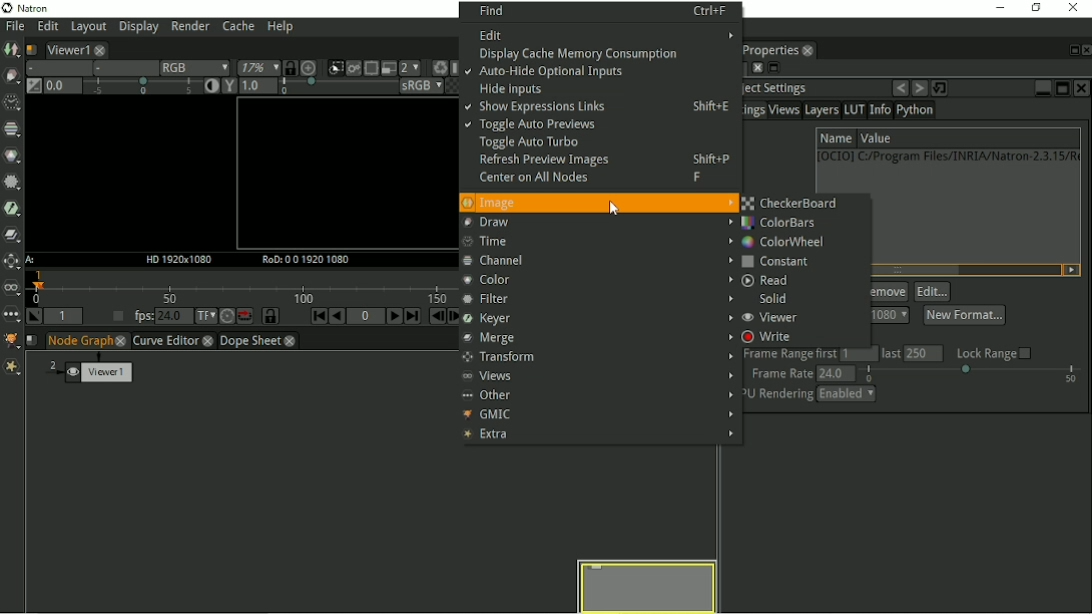  What do you see at coordinates (409, 67) in the screenshot?
I see `Scale down render` at bounding box center [409, 67].